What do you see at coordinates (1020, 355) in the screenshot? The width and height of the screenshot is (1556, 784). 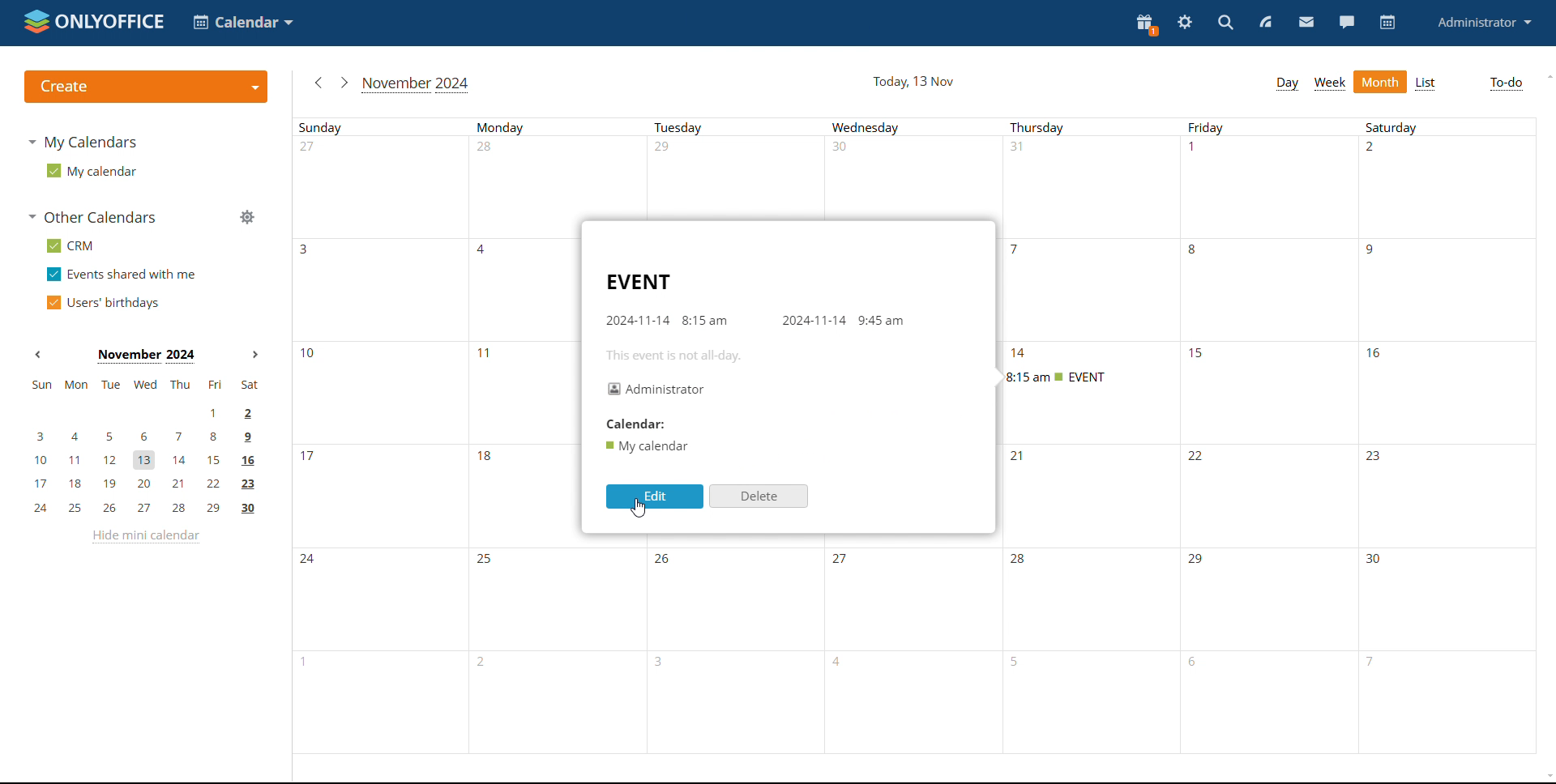 I see `event date` at bounding box center [1020, 355].